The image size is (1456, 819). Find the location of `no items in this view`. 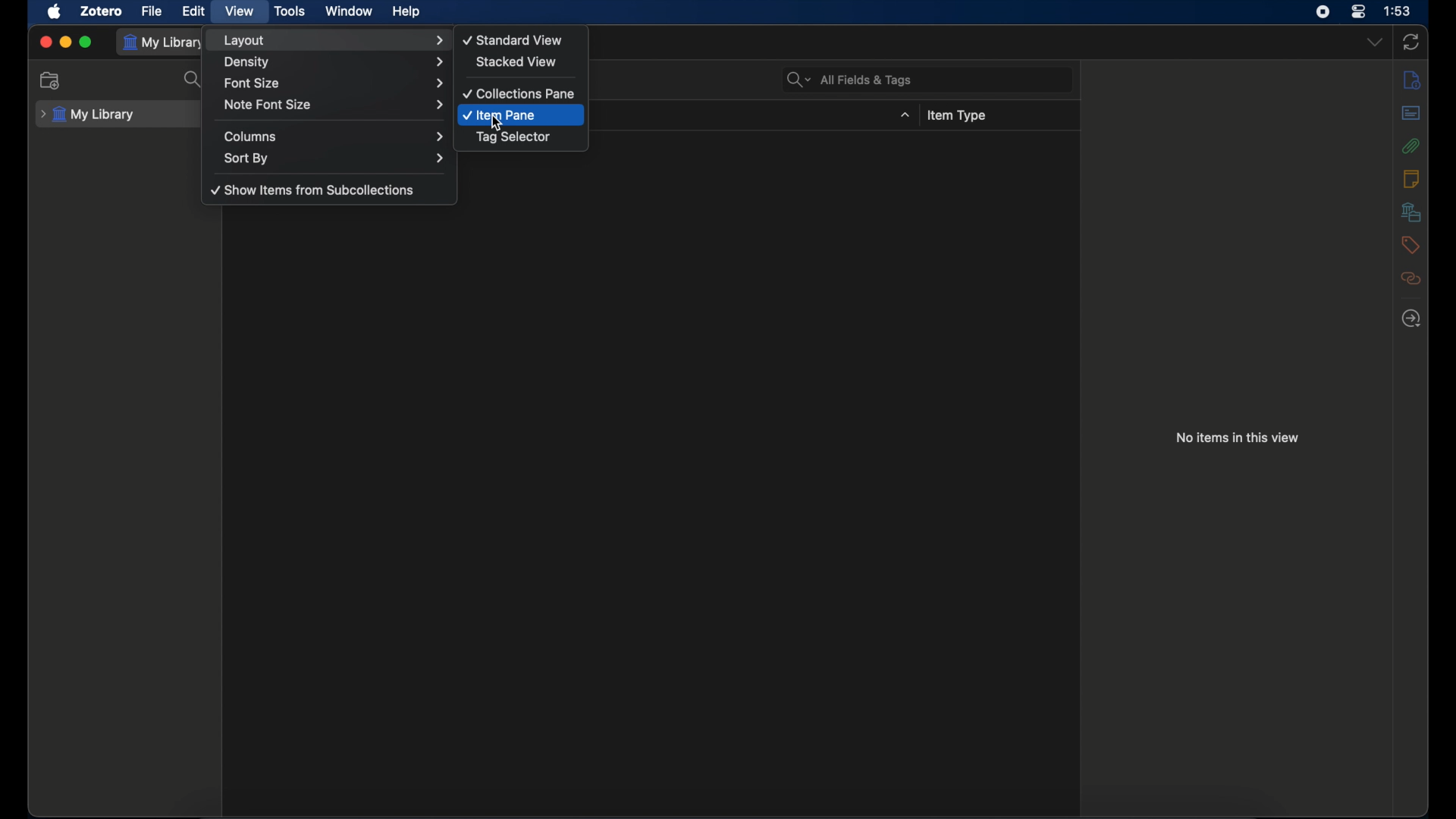

no items in this view is located at coordinates (1238, 438).